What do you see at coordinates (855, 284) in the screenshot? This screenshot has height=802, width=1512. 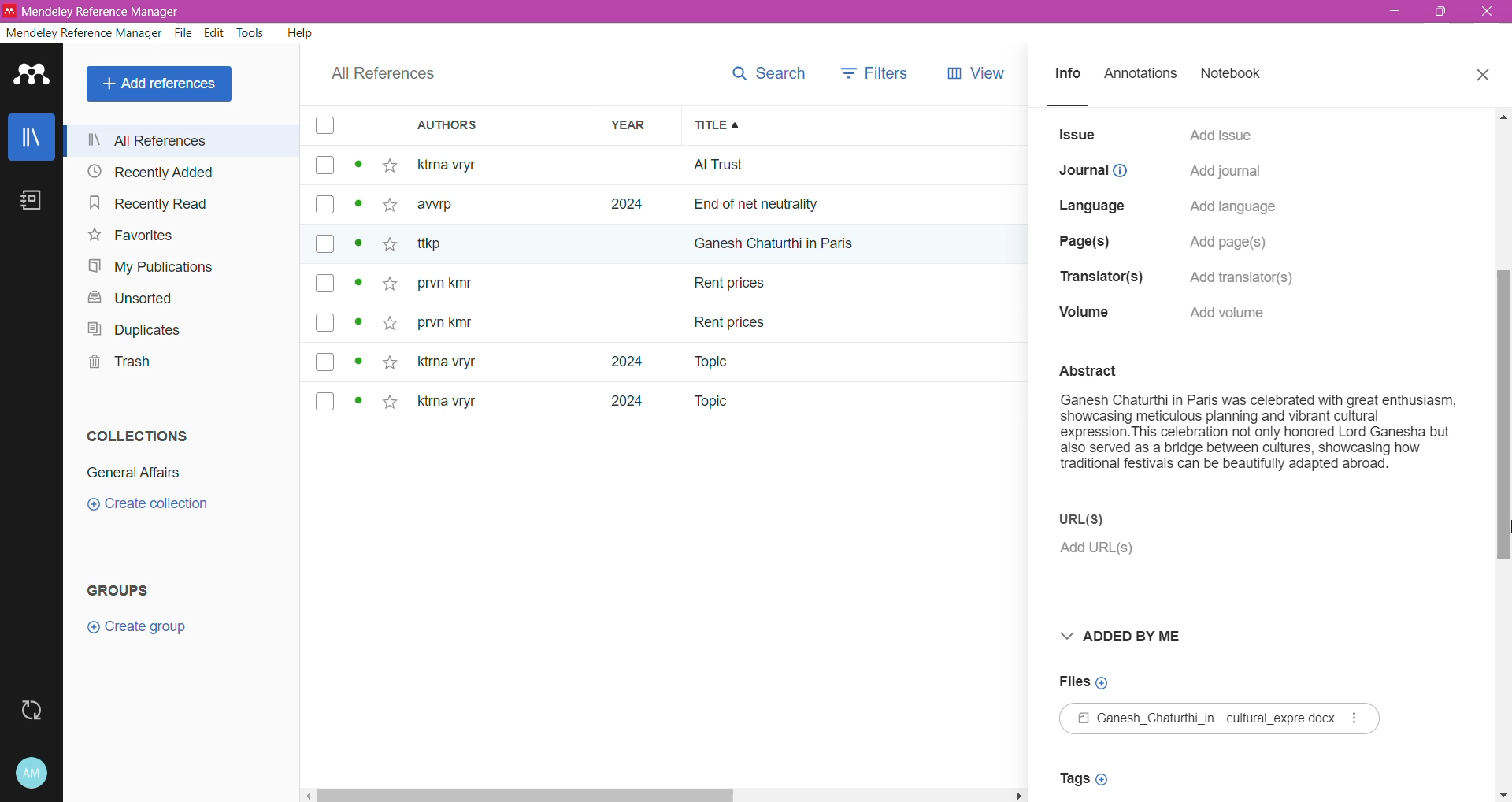 I see `Titles of the references available in the Library` at bounding box center [855, 284].